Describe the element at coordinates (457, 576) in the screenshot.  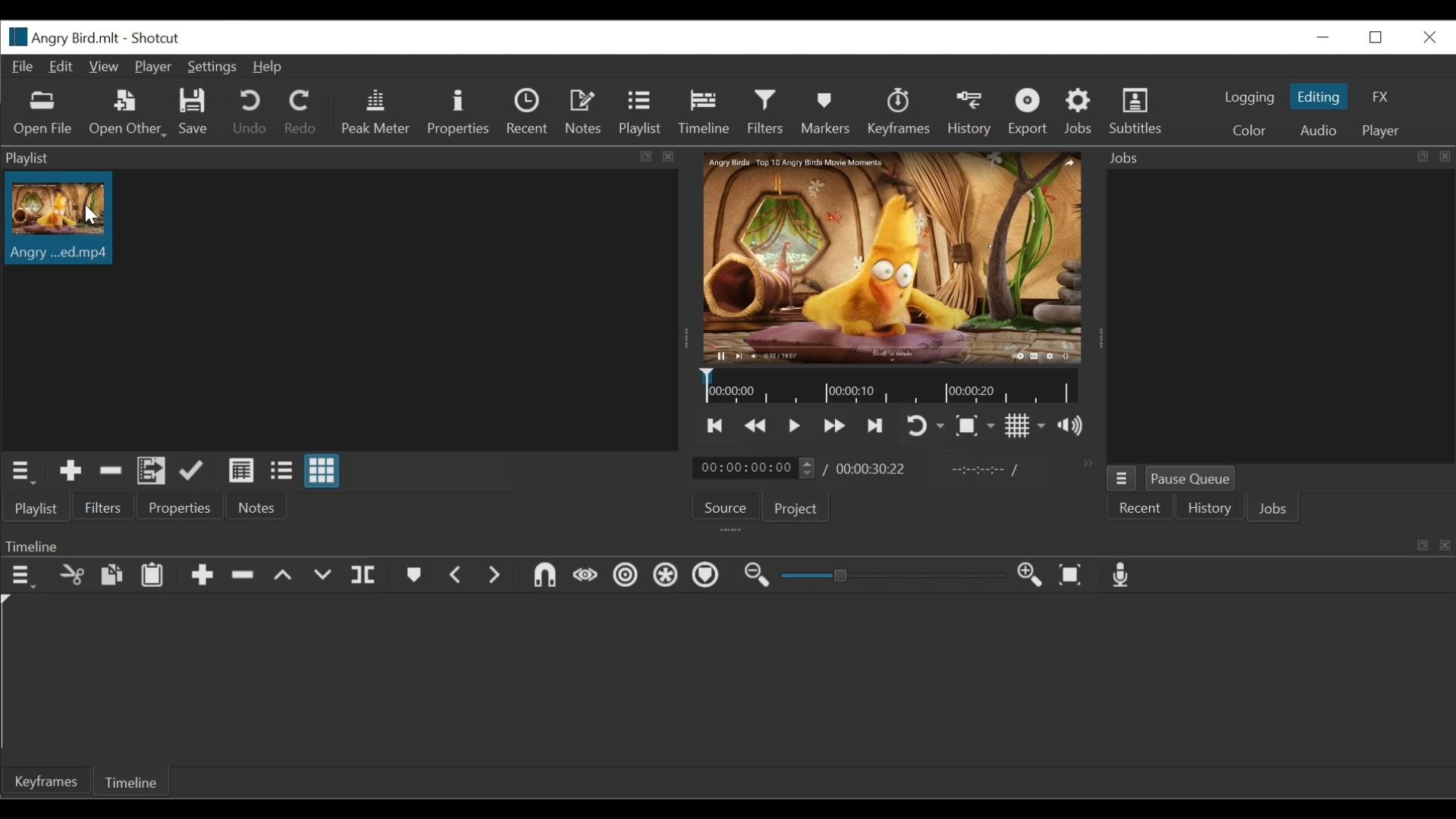
I see `Previous marker` at that location.